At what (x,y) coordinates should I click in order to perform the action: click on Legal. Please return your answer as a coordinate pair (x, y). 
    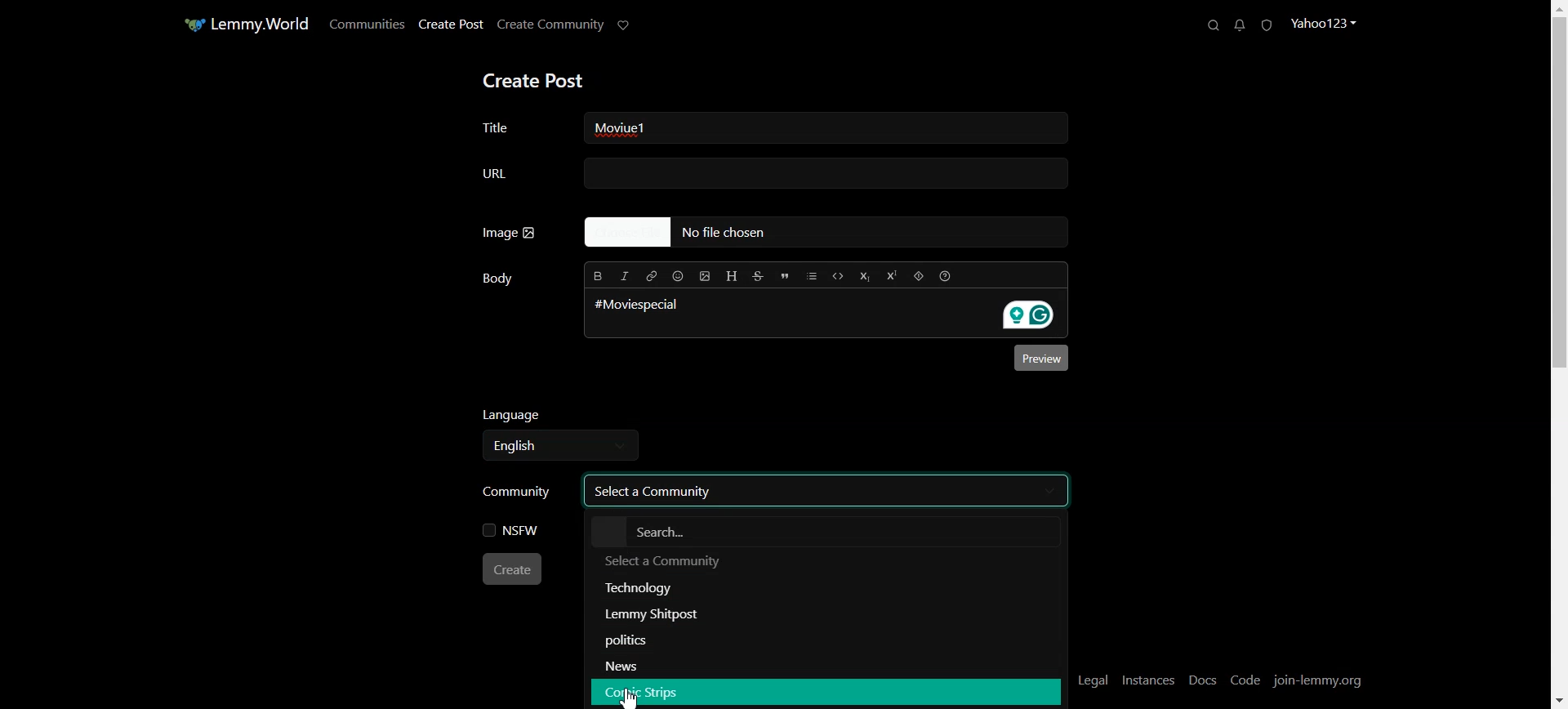
    Looking at the image, I should click on (1089, 680).